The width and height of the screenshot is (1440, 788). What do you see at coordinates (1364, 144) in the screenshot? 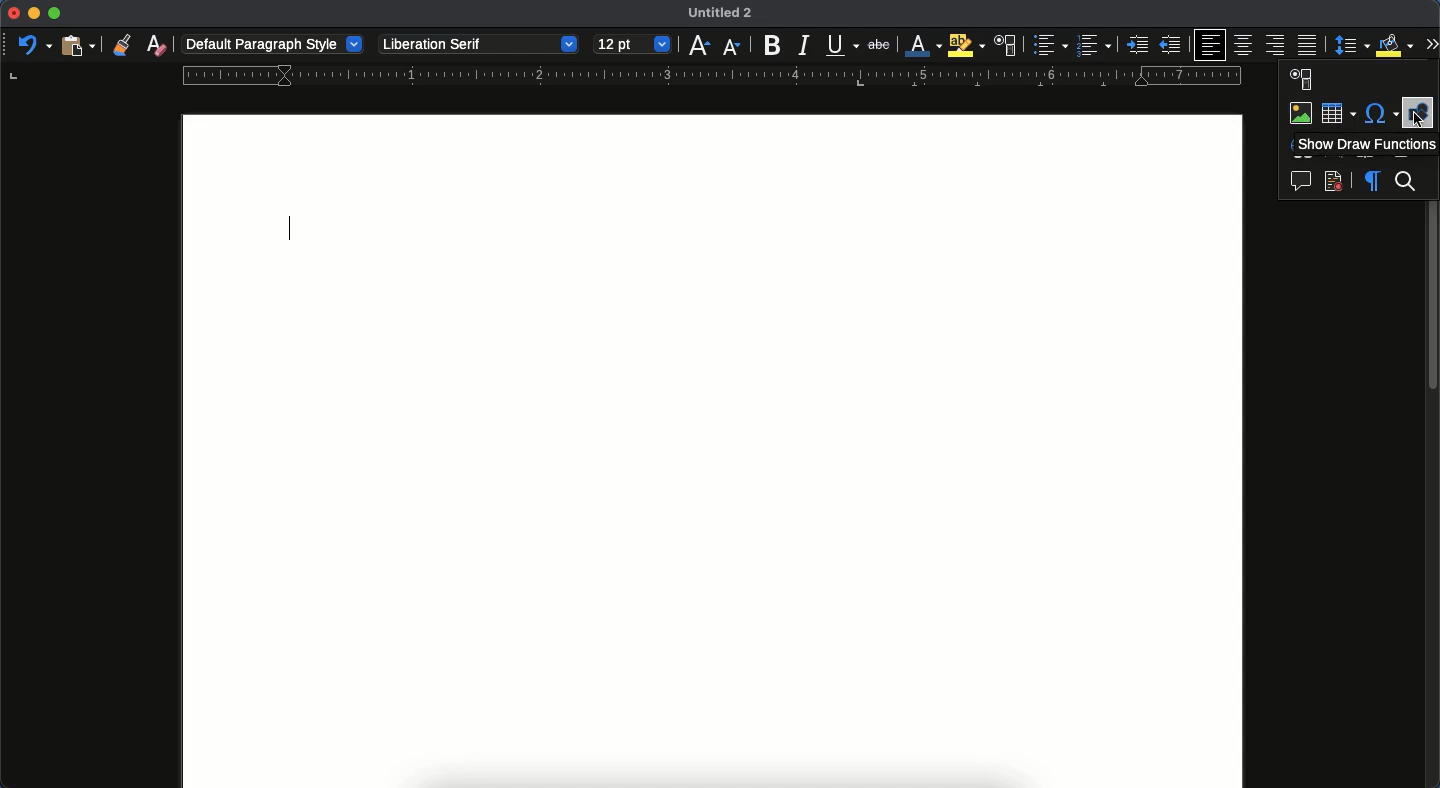
I see `show draw functions` at bounding box center [1364, 144].